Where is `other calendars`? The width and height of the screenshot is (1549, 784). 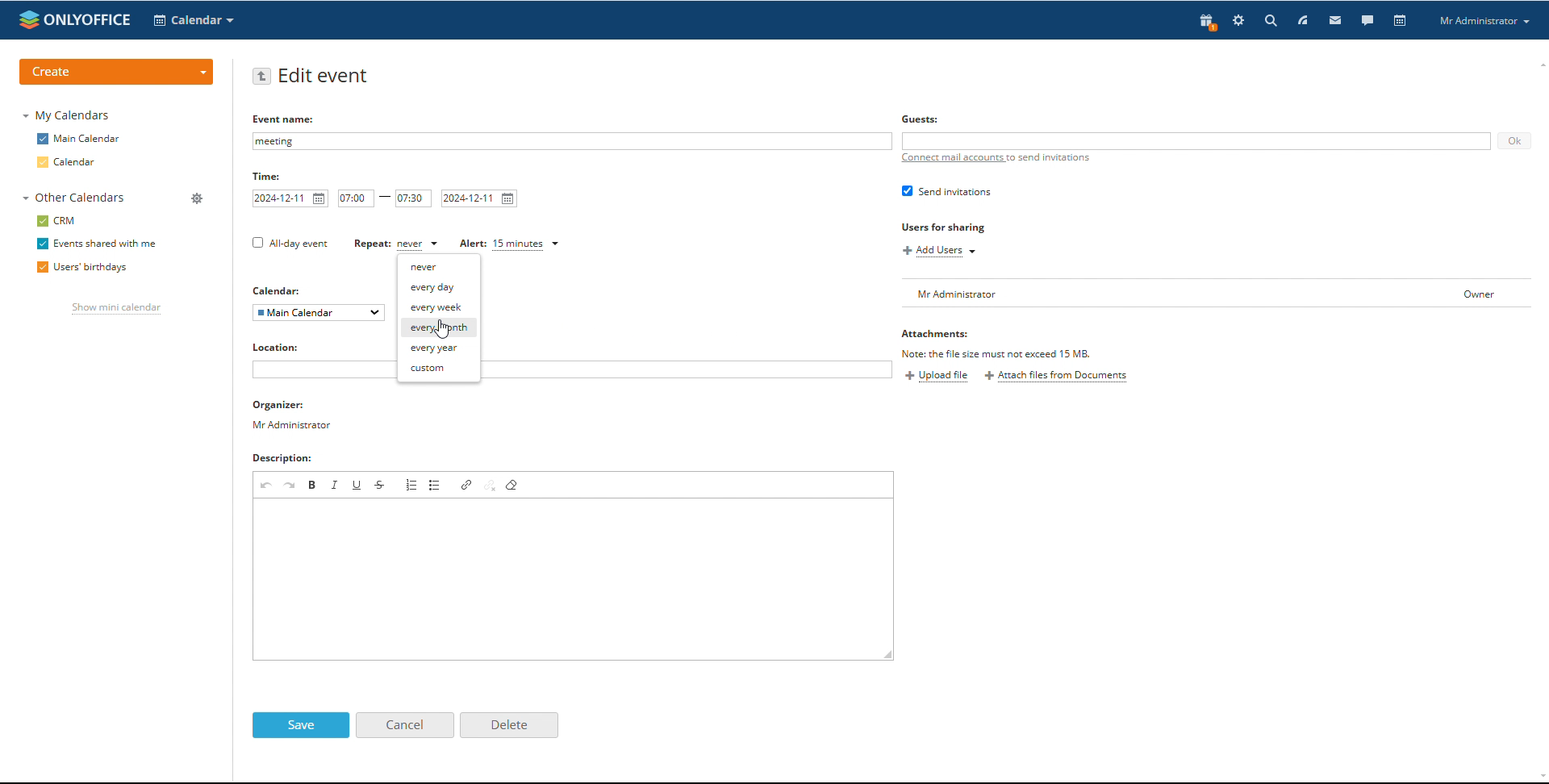
other calendars is located at coordinates (74, 198).